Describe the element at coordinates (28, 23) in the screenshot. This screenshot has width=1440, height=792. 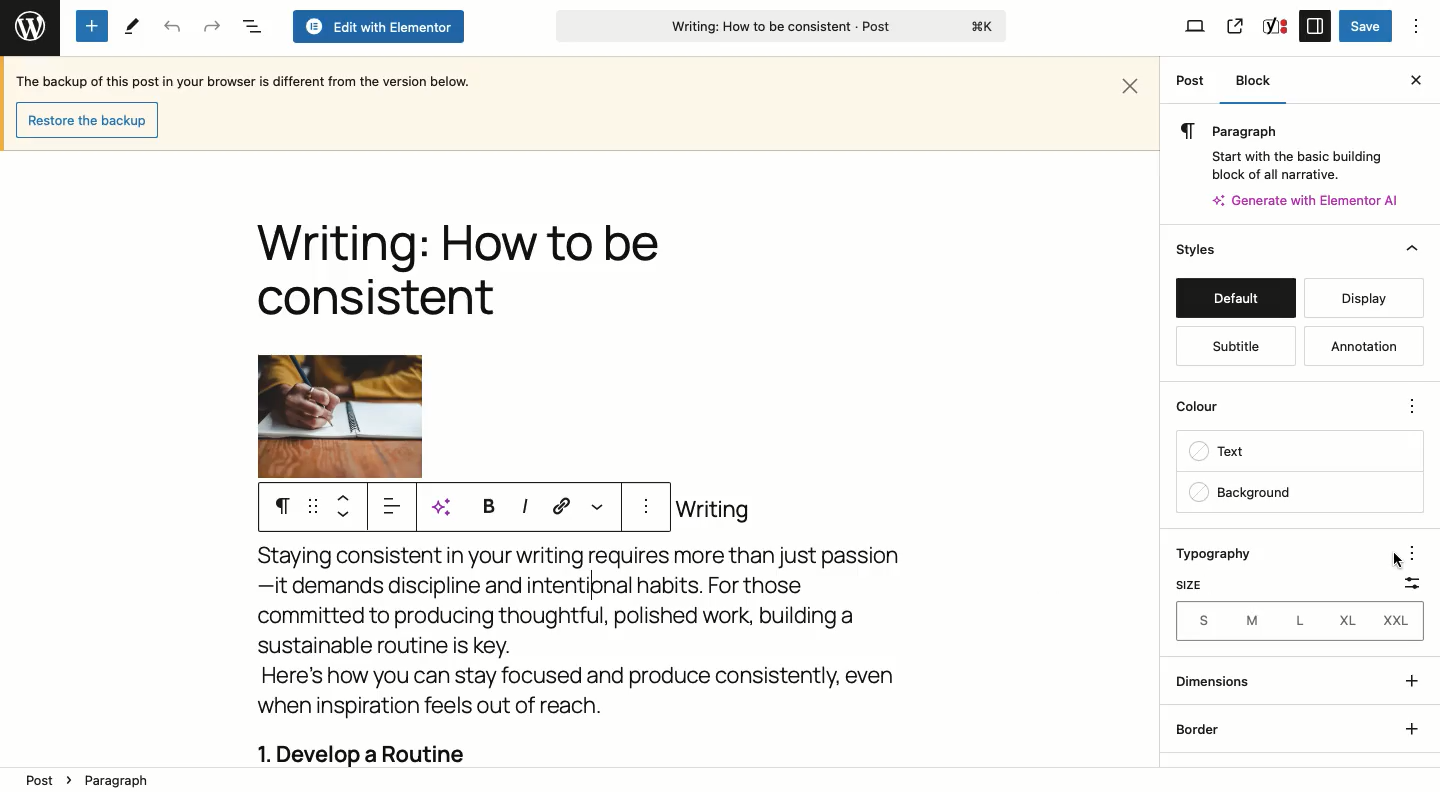
I see `Wordpress logo` at that location.